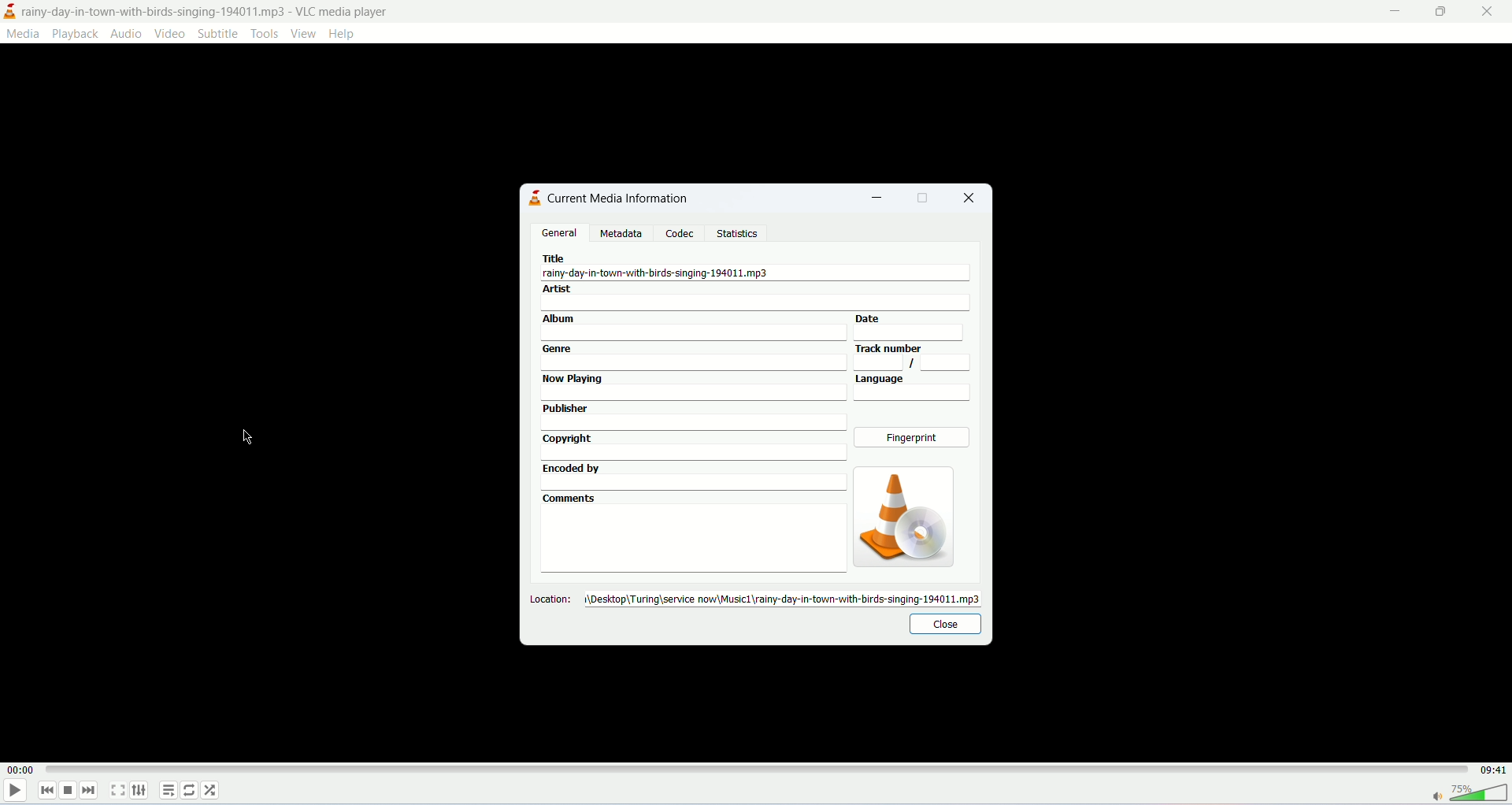 This screenshot has width=1512, height=805. What do you see at coordinates (127, 33) in the screenshot?
I see `audio` at bounding box center [127, 33].